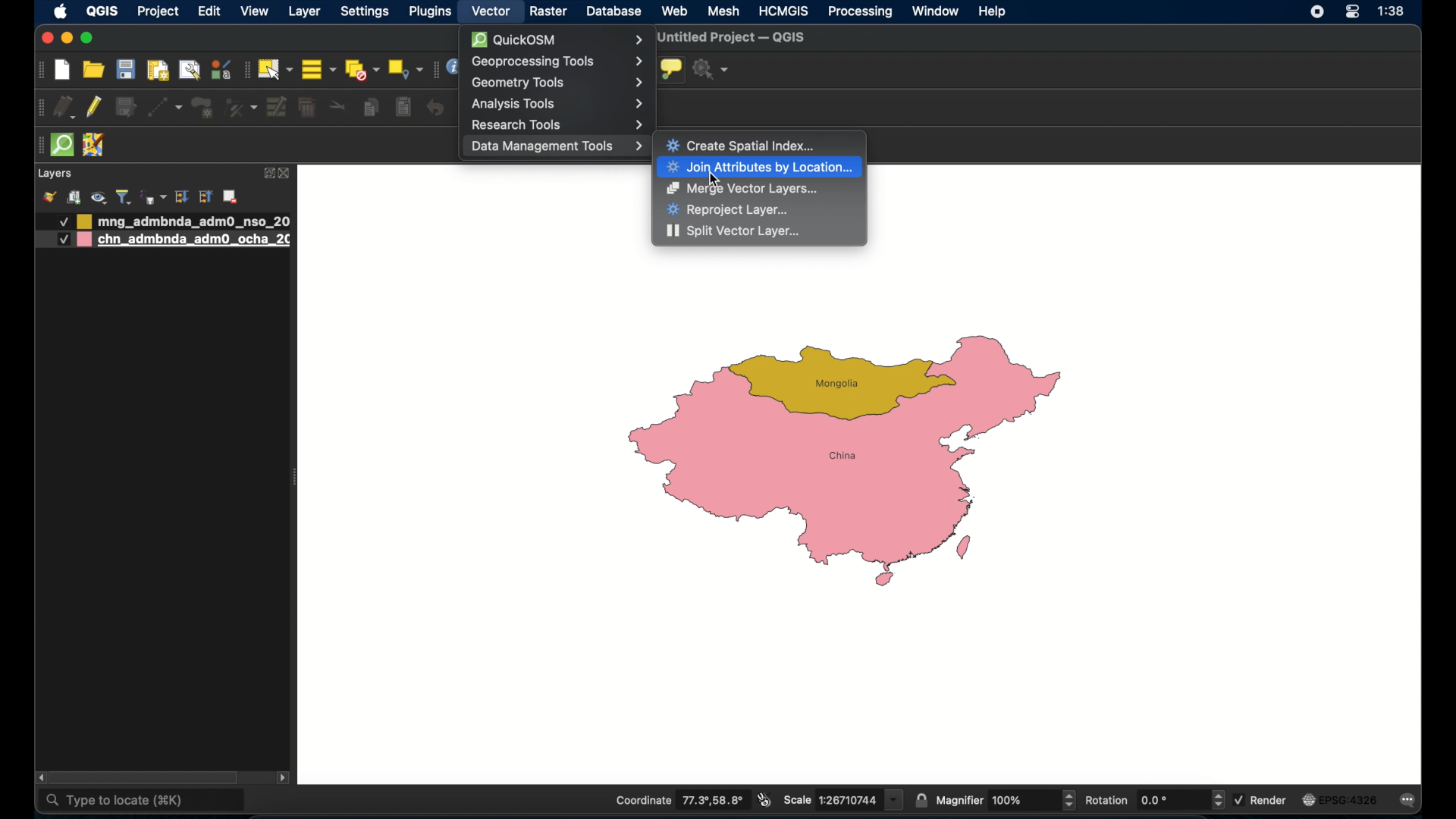 The image size is (1456, 819). Describe the element at coordinates (56, 222) in the screenshot. I see `` at that location.